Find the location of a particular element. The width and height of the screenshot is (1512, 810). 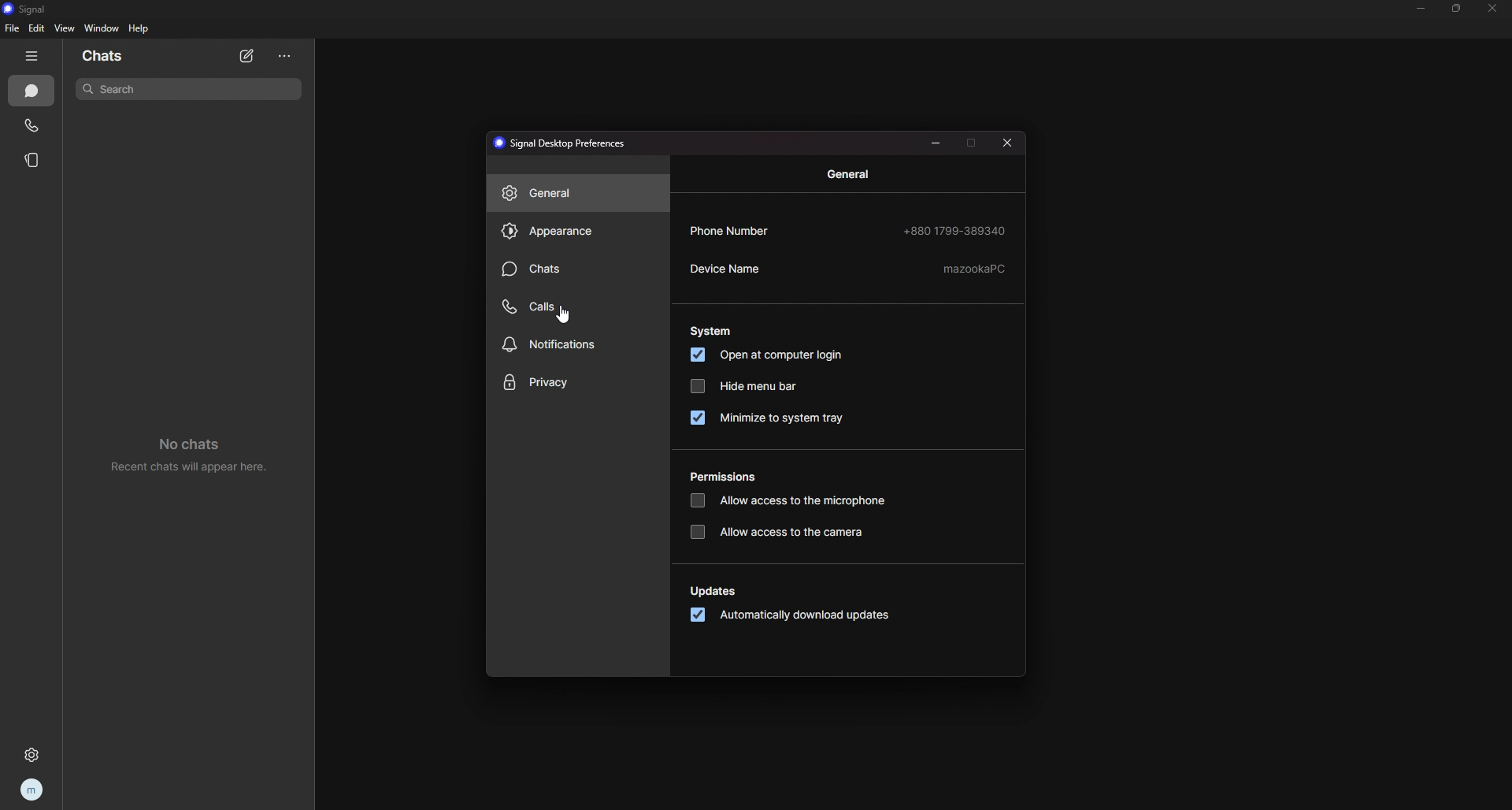

hide tab is located at coordinates (32, 56).